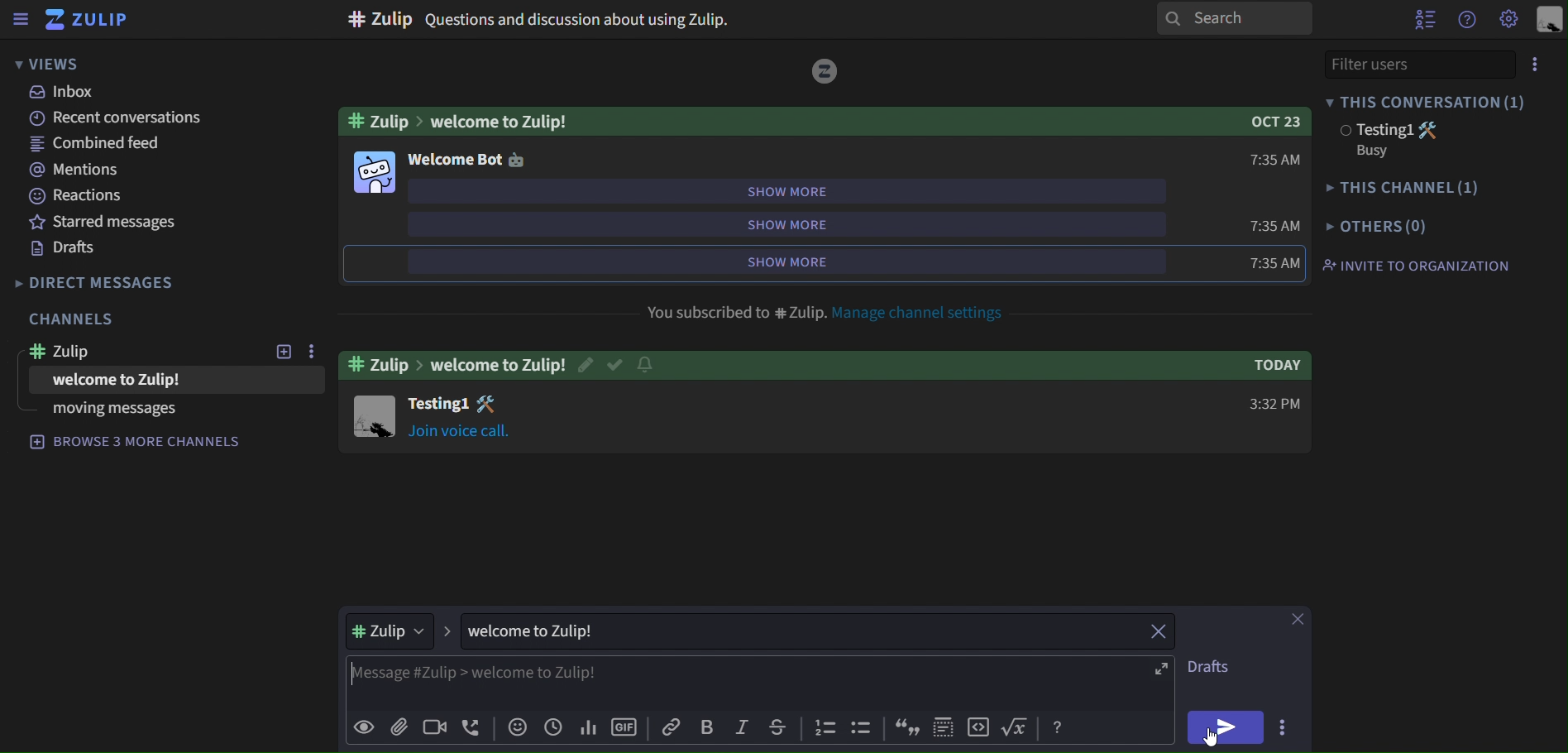  Describe the element at coordinates (734, 314) in the screenshot. I see `You subscribed to #Zulip` at that location.